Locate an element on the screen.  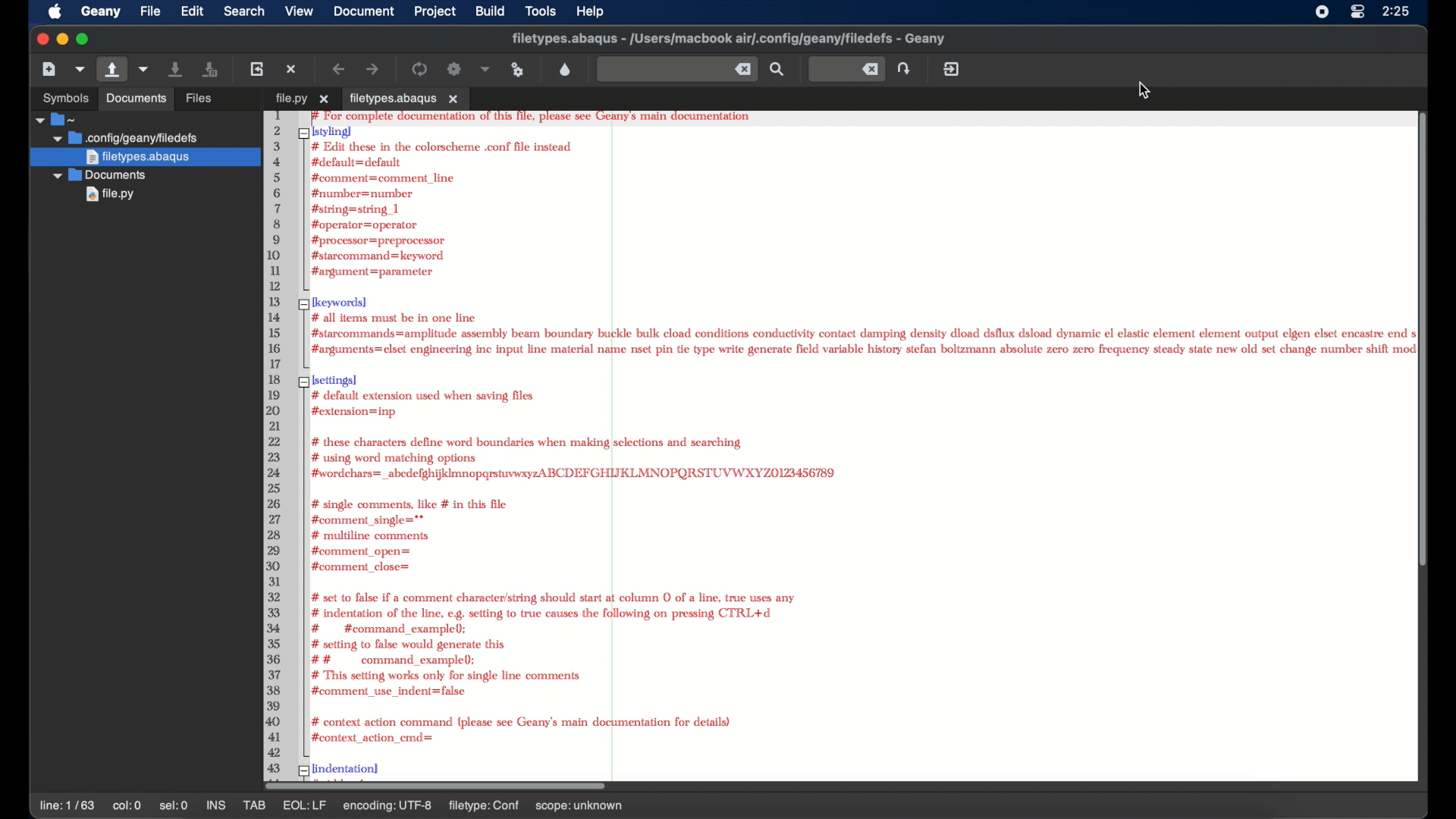
build is located at coordinates (490, 11).